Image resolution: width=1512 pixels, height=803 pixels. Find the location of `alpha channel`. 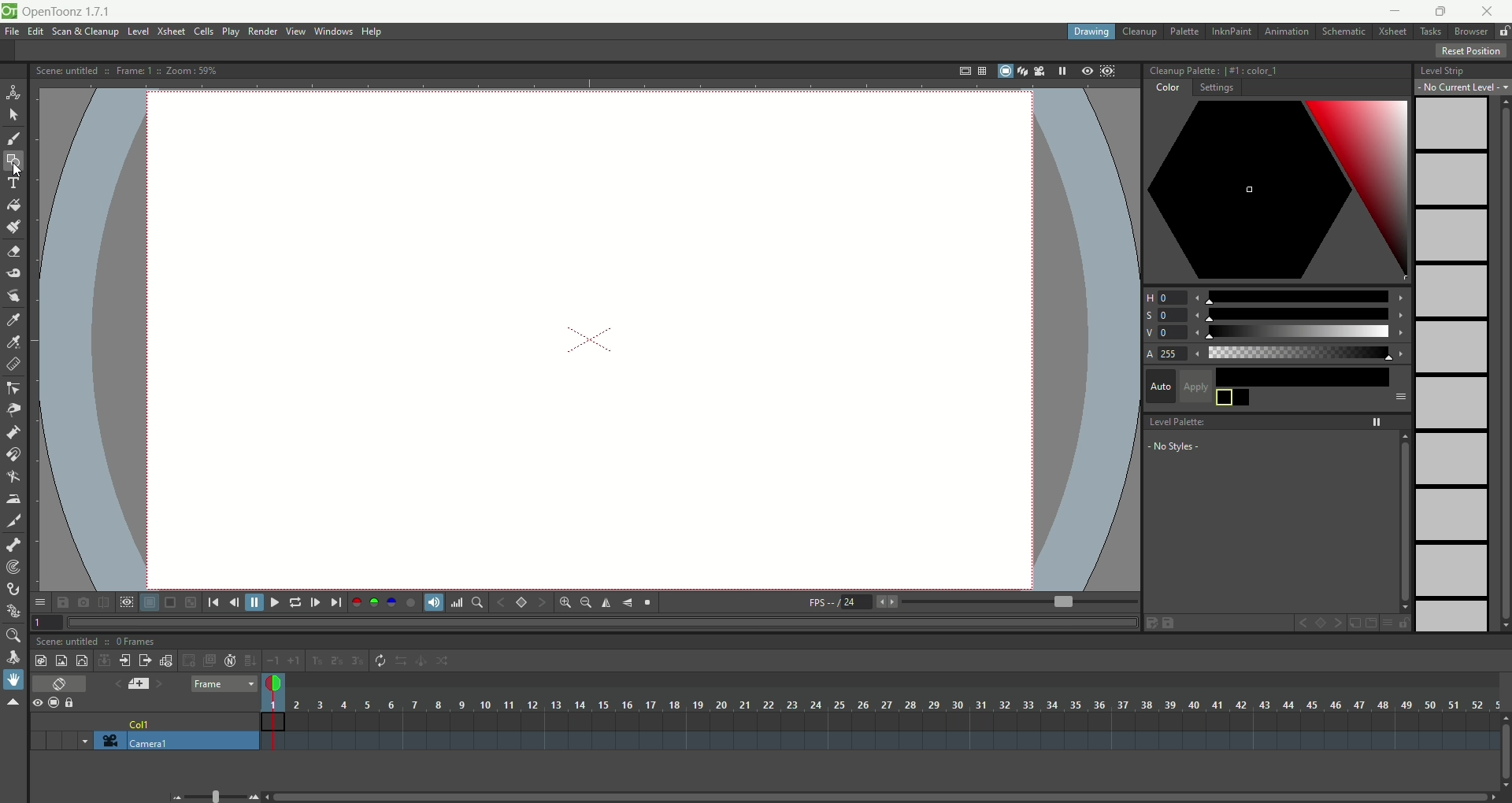

alpha channel is located at coordinates (410, 601).